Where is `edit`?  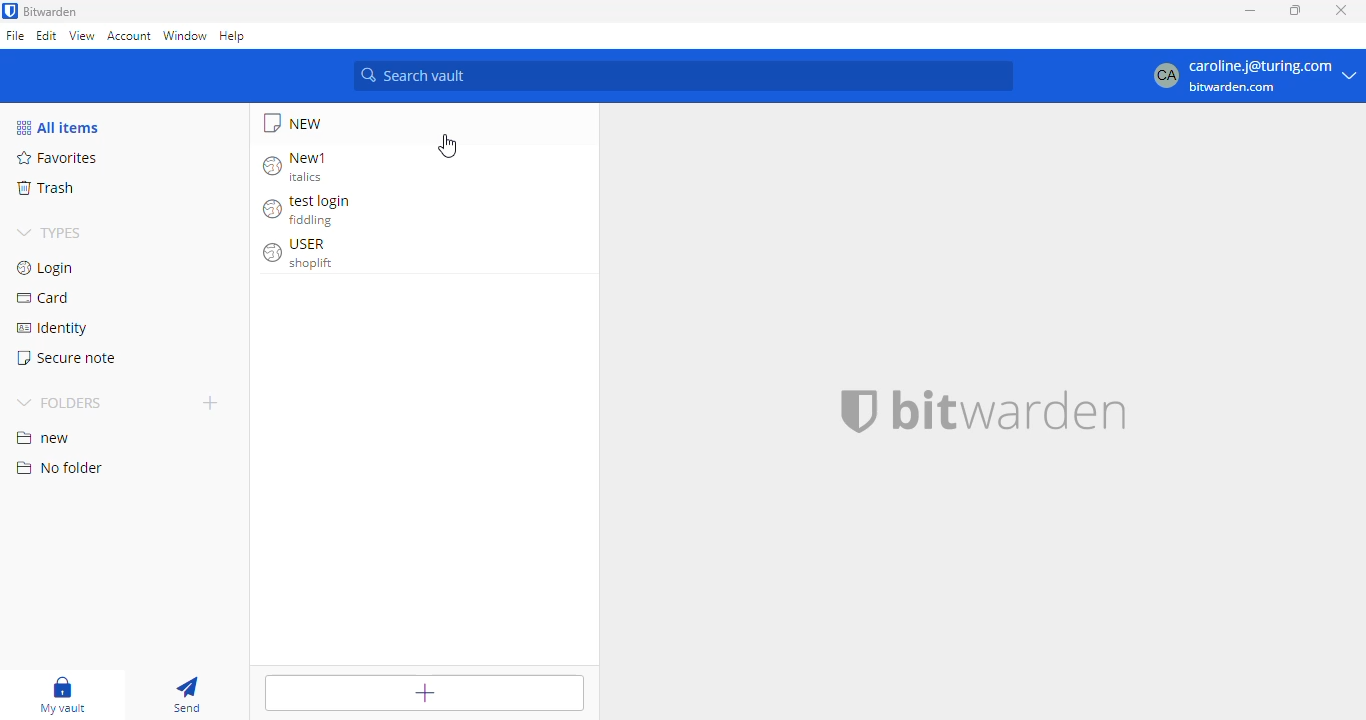 edit is located at coordinates (46, 35).